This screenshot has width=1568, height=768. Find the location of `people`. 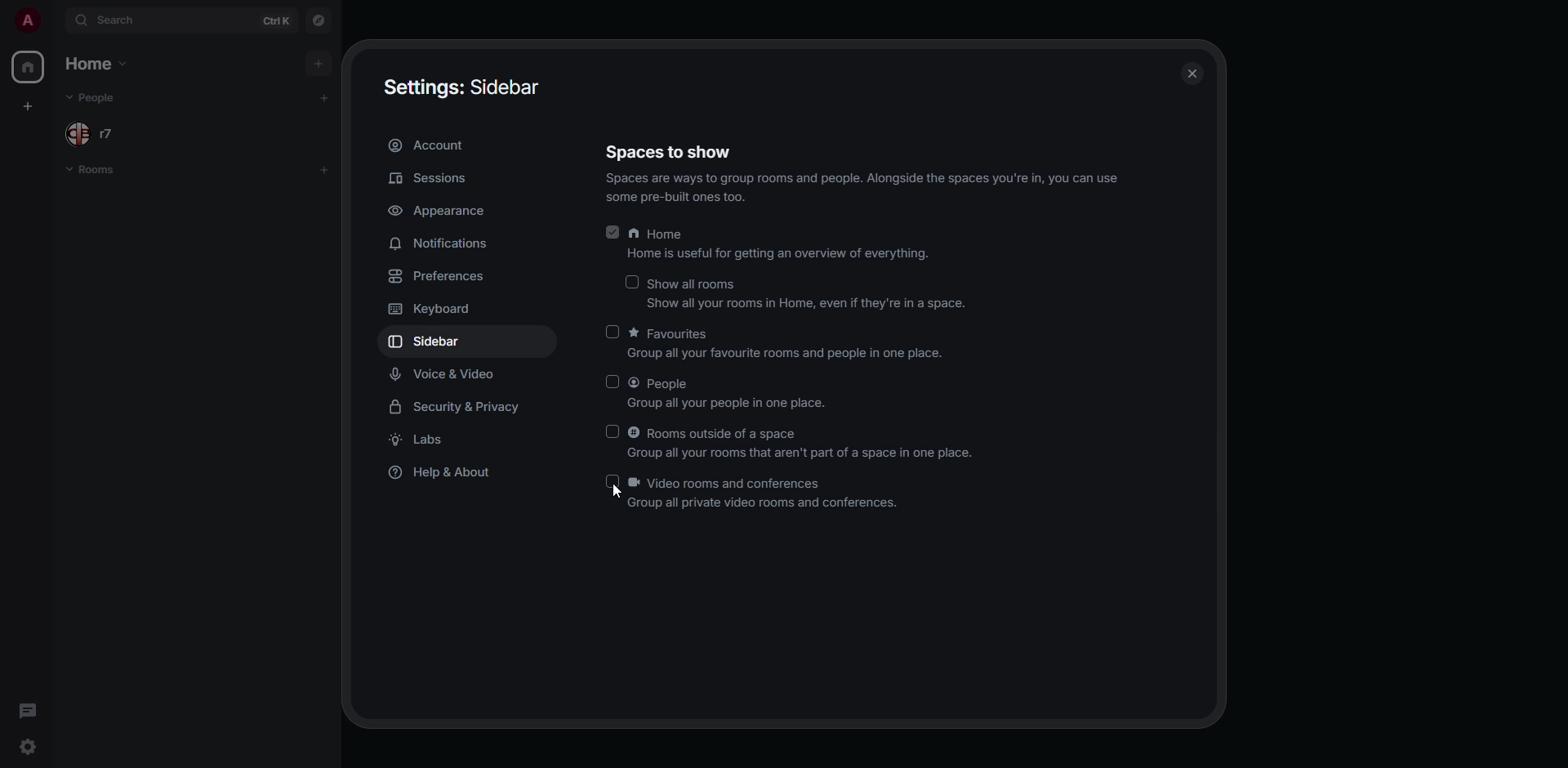

people is located at coordinates (94, 133).